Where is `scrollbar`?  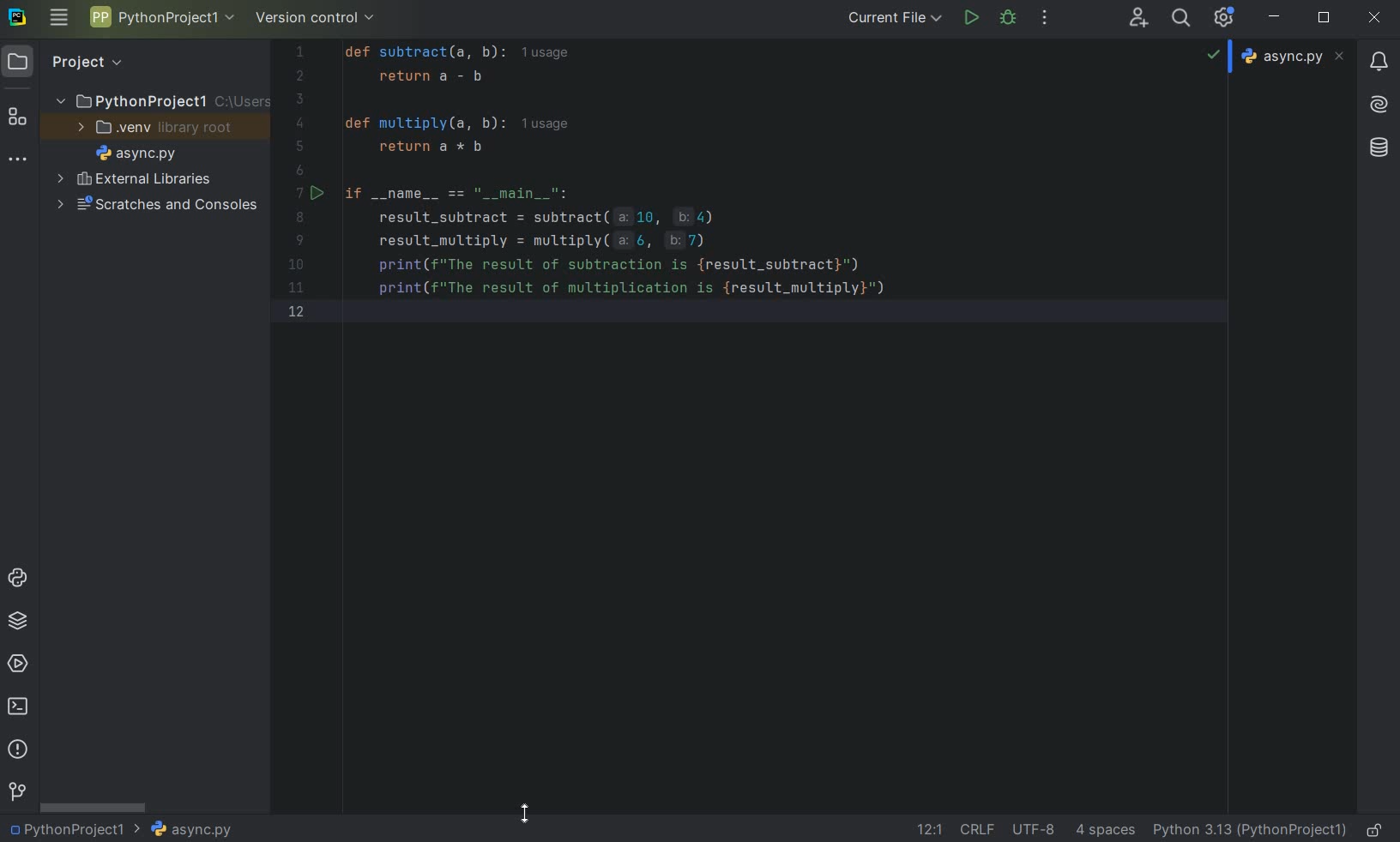 scrollbar is located at coordinates (94, 806).